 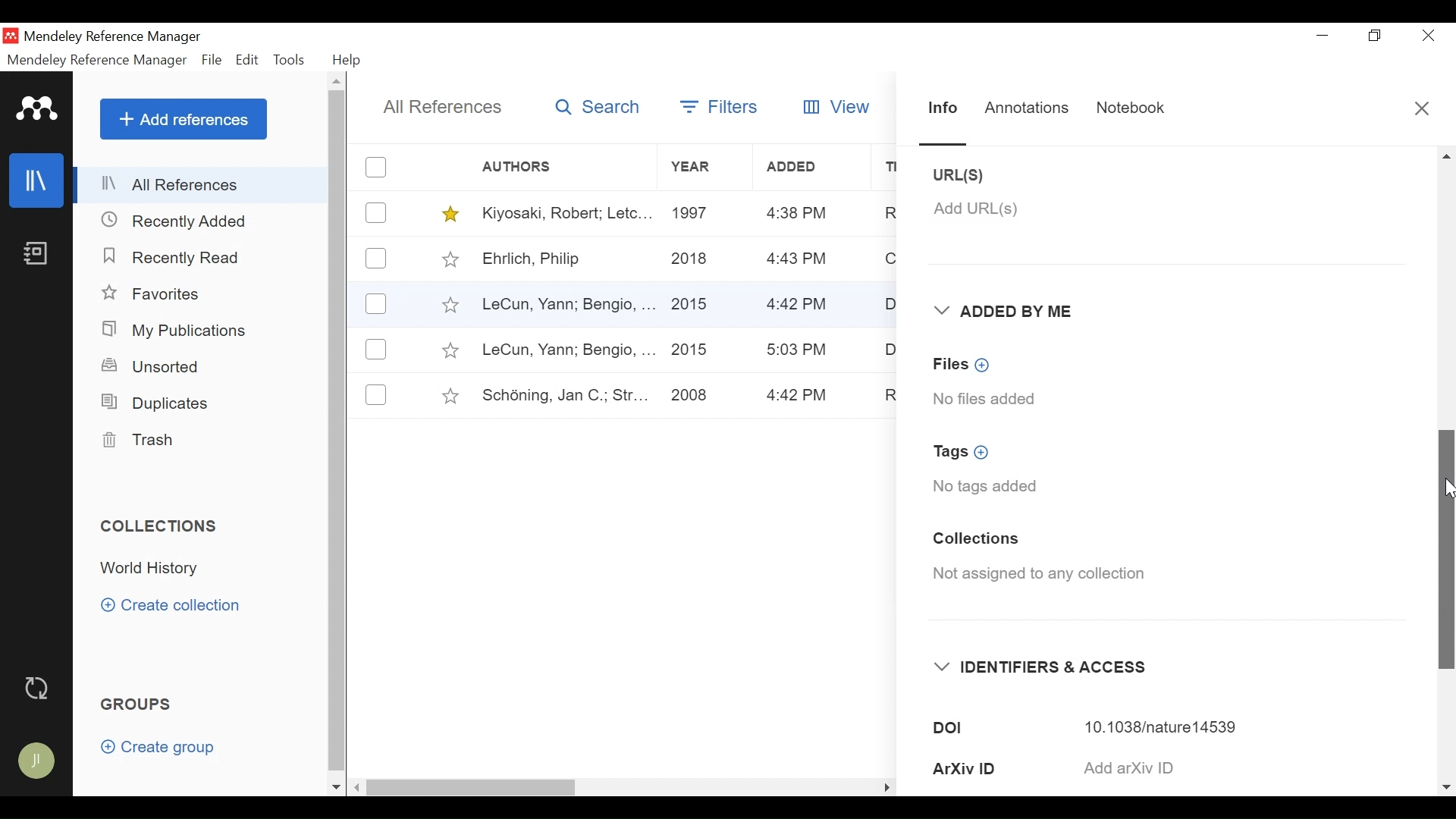 What do you see at coordinates (598, 784) in the screenshot?
I see `Horizontal Scroll bar` at bounding box center [598, 784].